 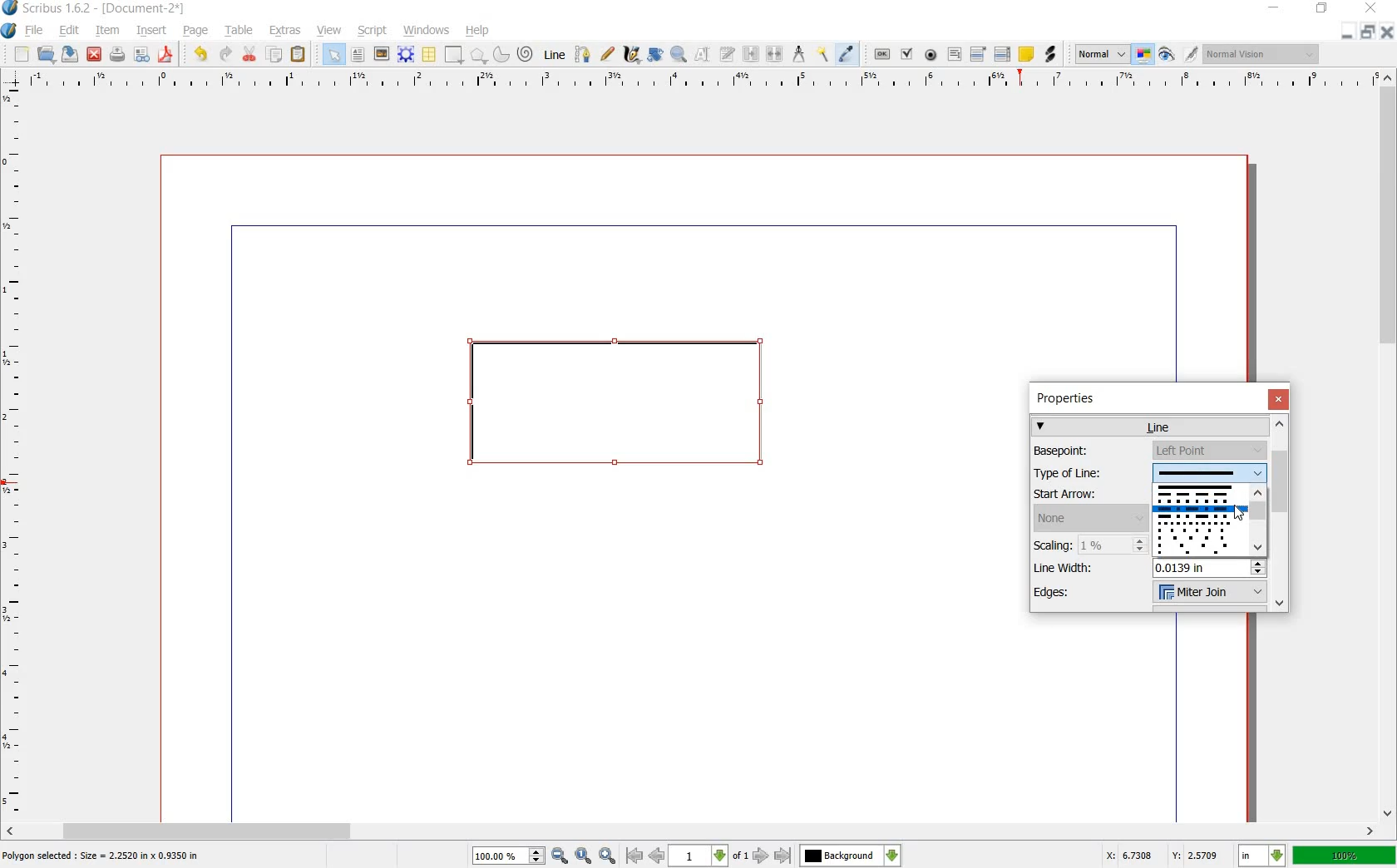 I want to click on SCROLLBAR, so click(x=690, y=831).